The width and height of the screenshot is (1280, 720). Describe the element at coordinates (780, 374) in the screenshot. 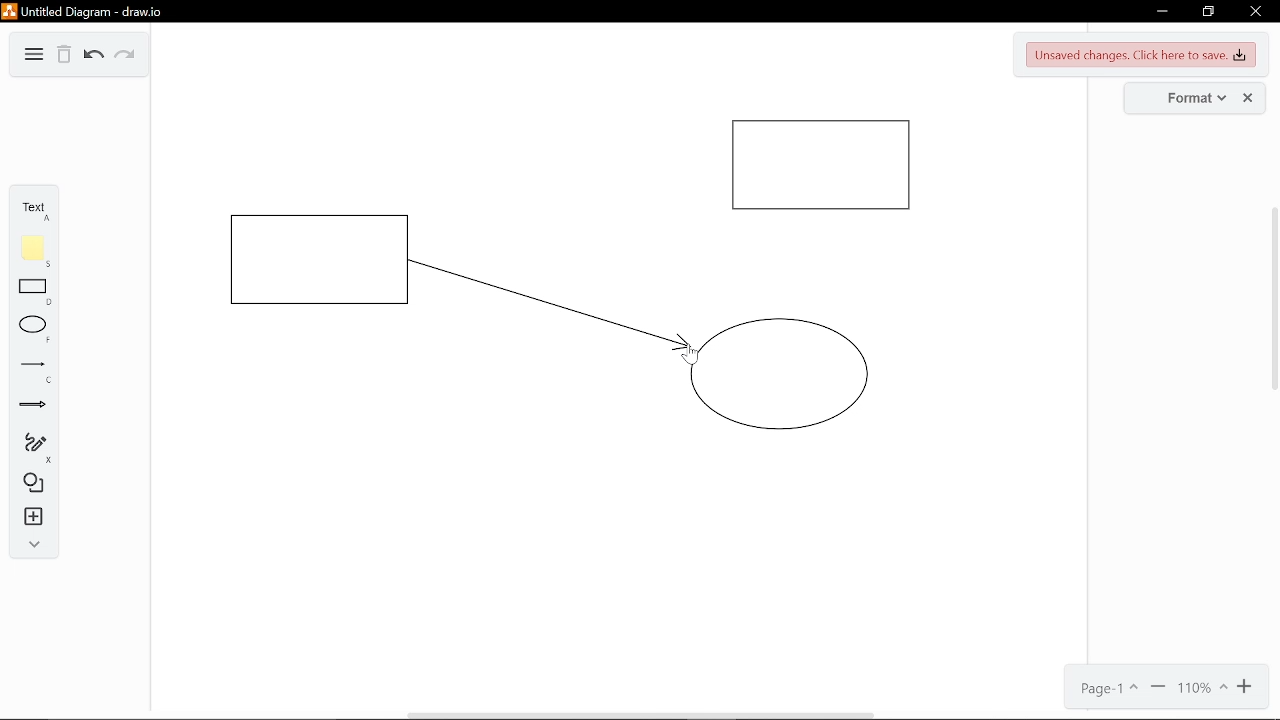

I see `circle` at that location.